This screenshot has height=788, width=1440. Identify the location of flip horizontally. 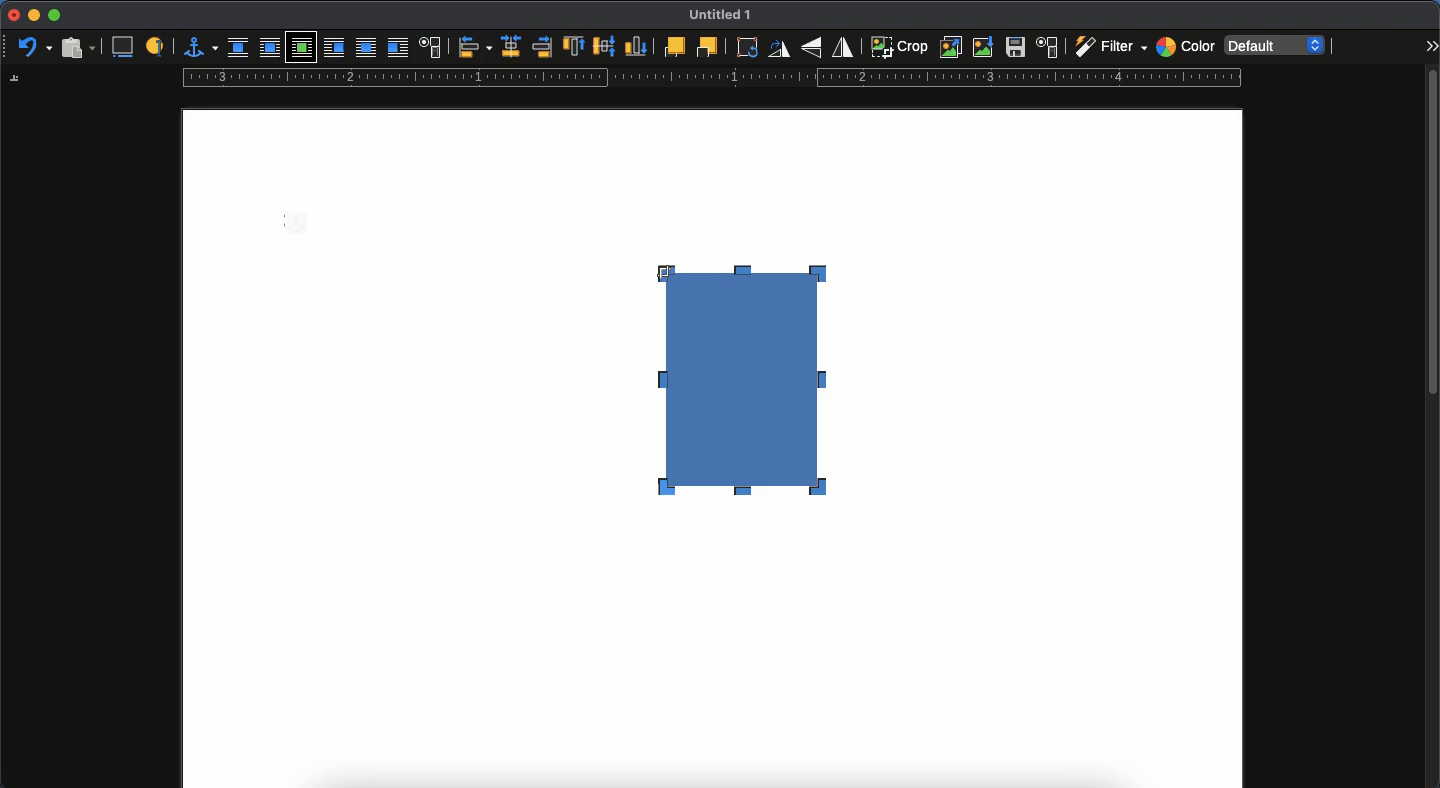
(844, 46).